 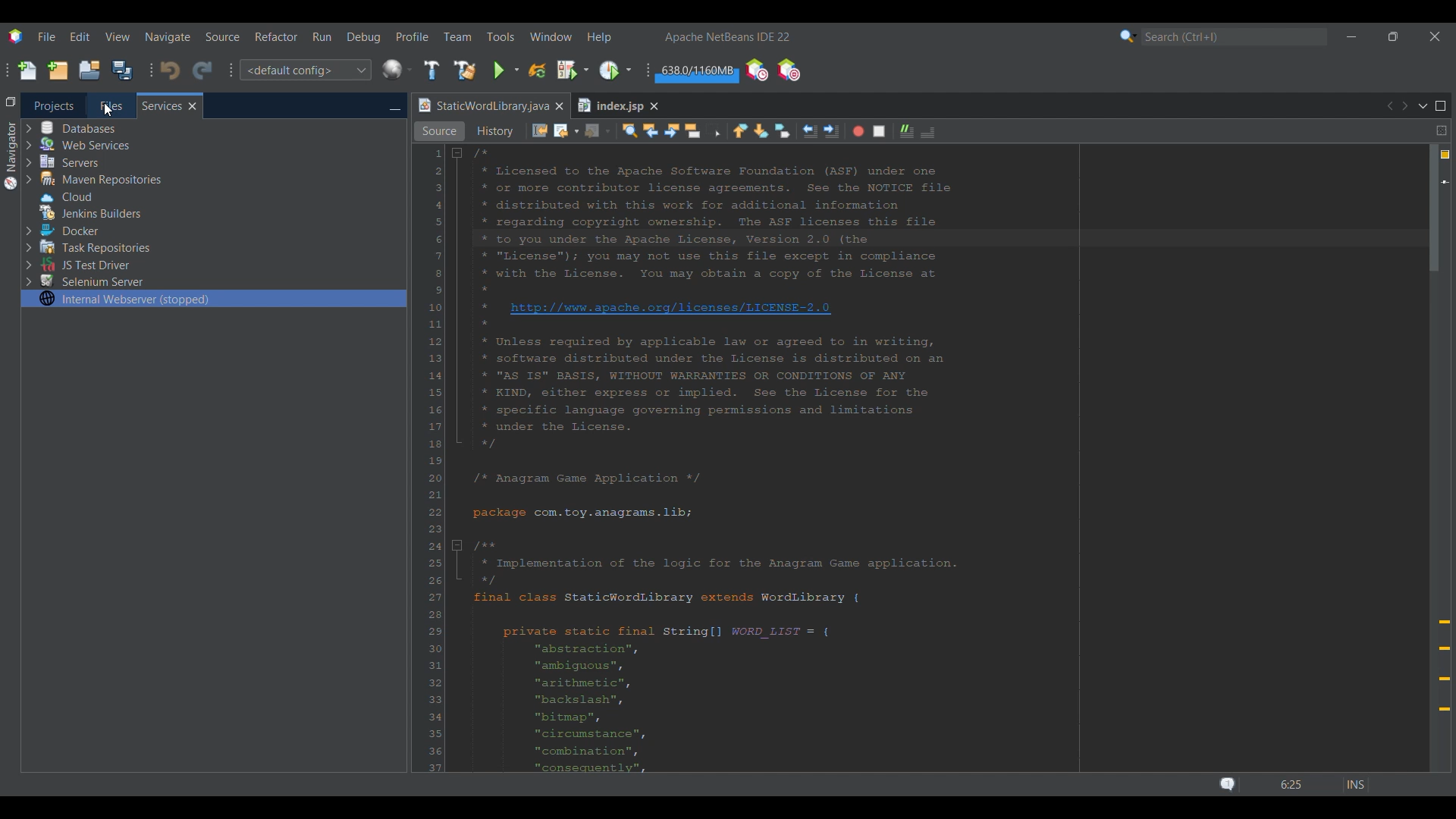 What do you see at coordinates (108, 111) in the screenshot?
I see `cursor` at bounding box center [108, 111].